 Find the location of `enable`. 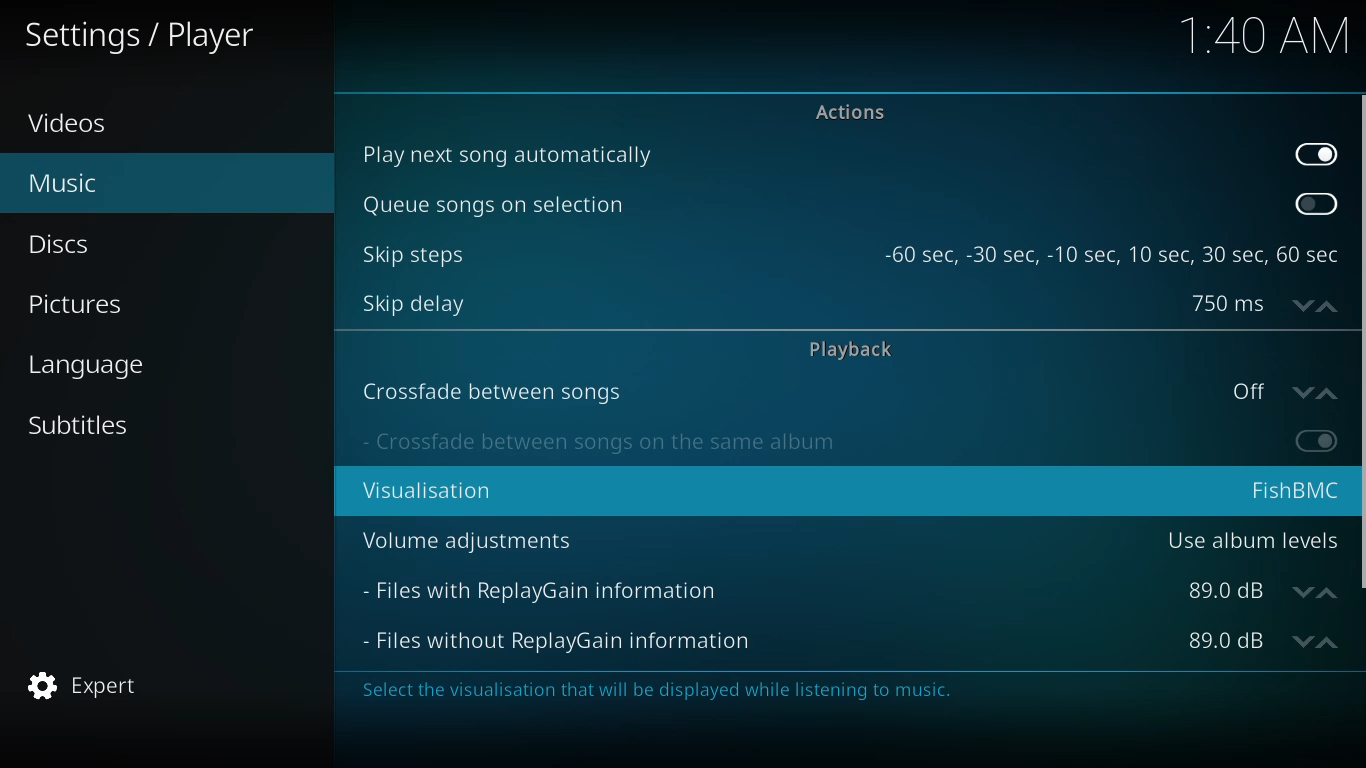

enable is located at coordinates (1318, 439).